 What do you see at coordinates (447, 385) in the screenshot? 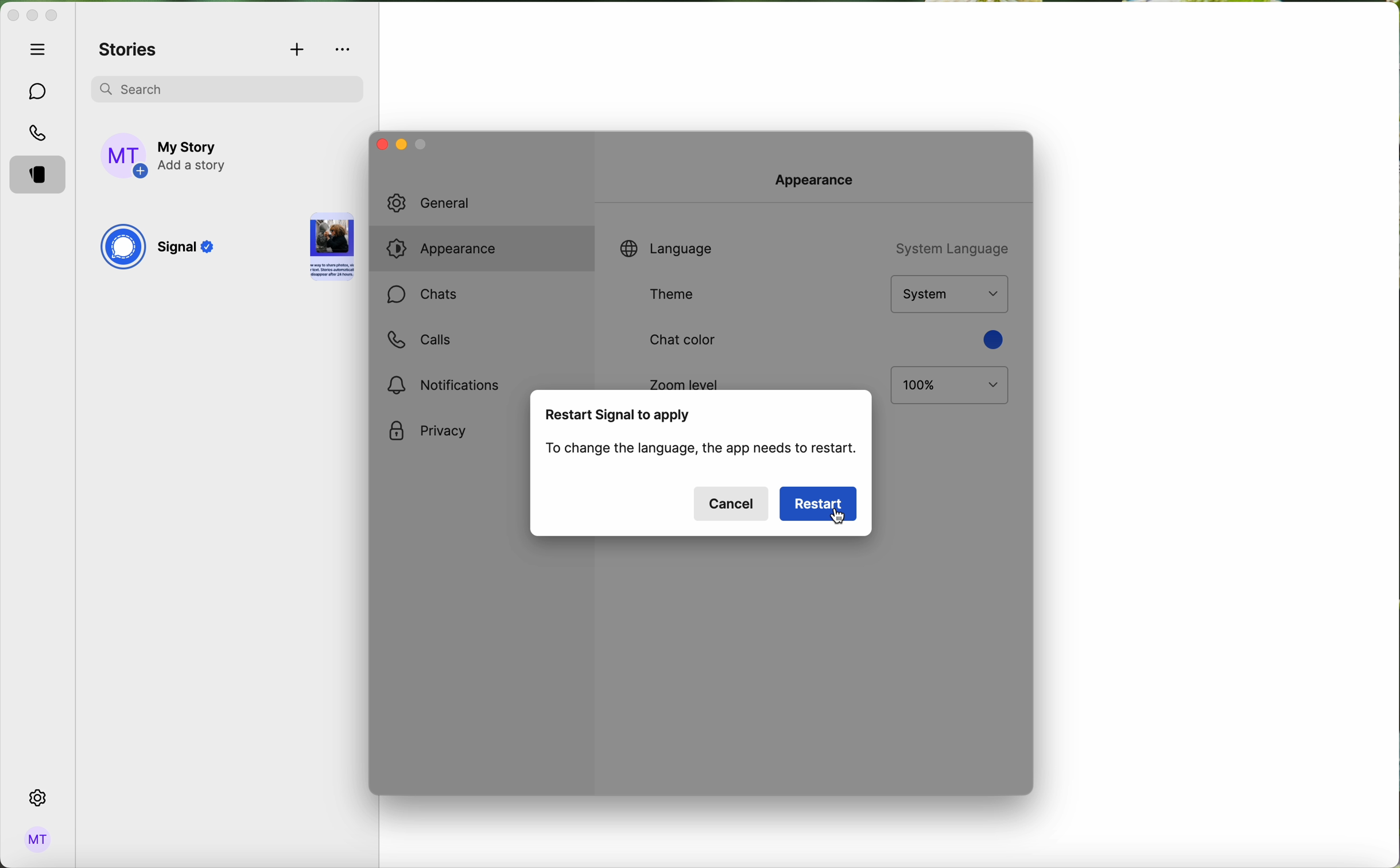
I see `Notifications` at bounding box center [447, 385].